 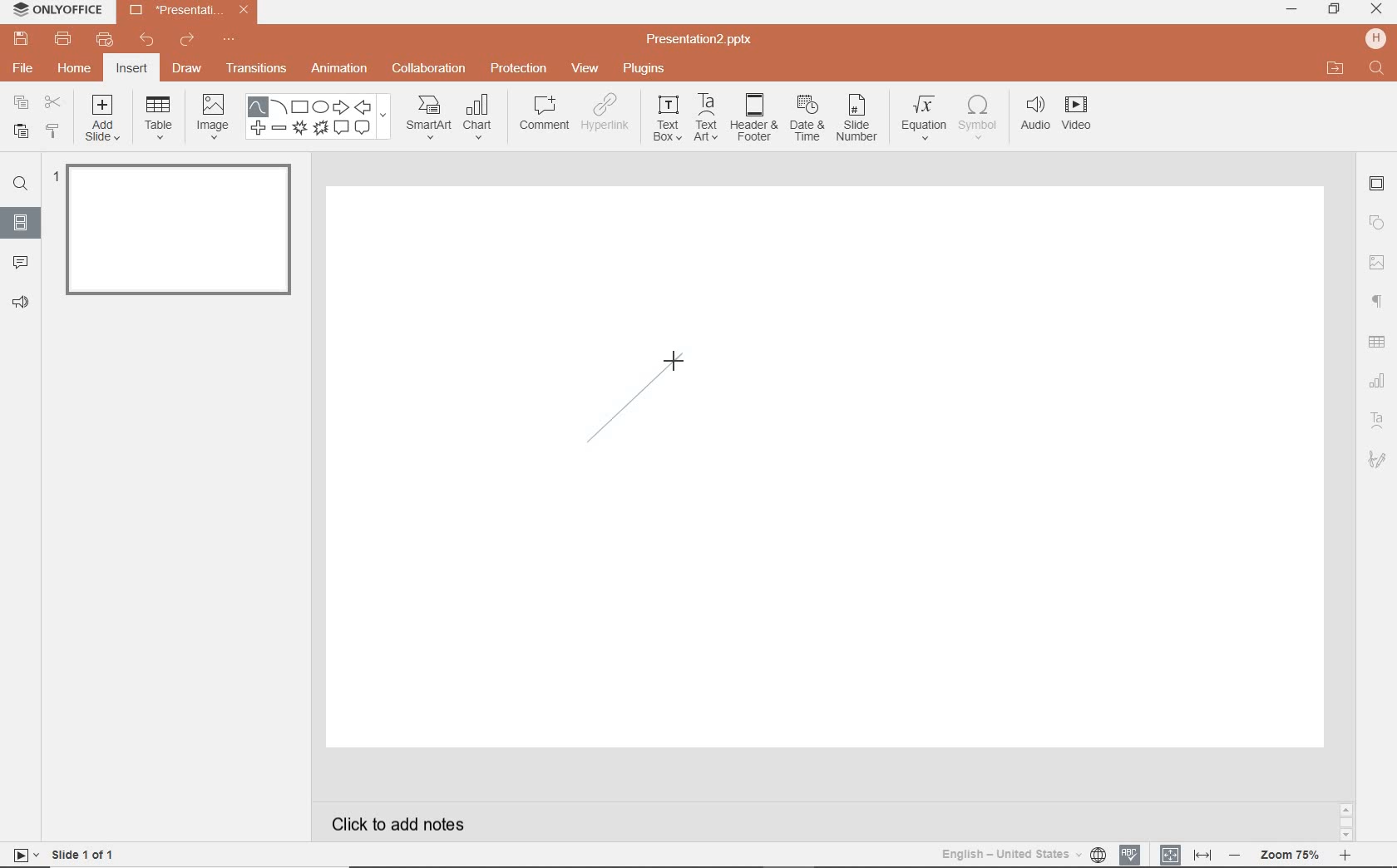 I want to click on MINIMIZE, so click(x=1291, y=10).